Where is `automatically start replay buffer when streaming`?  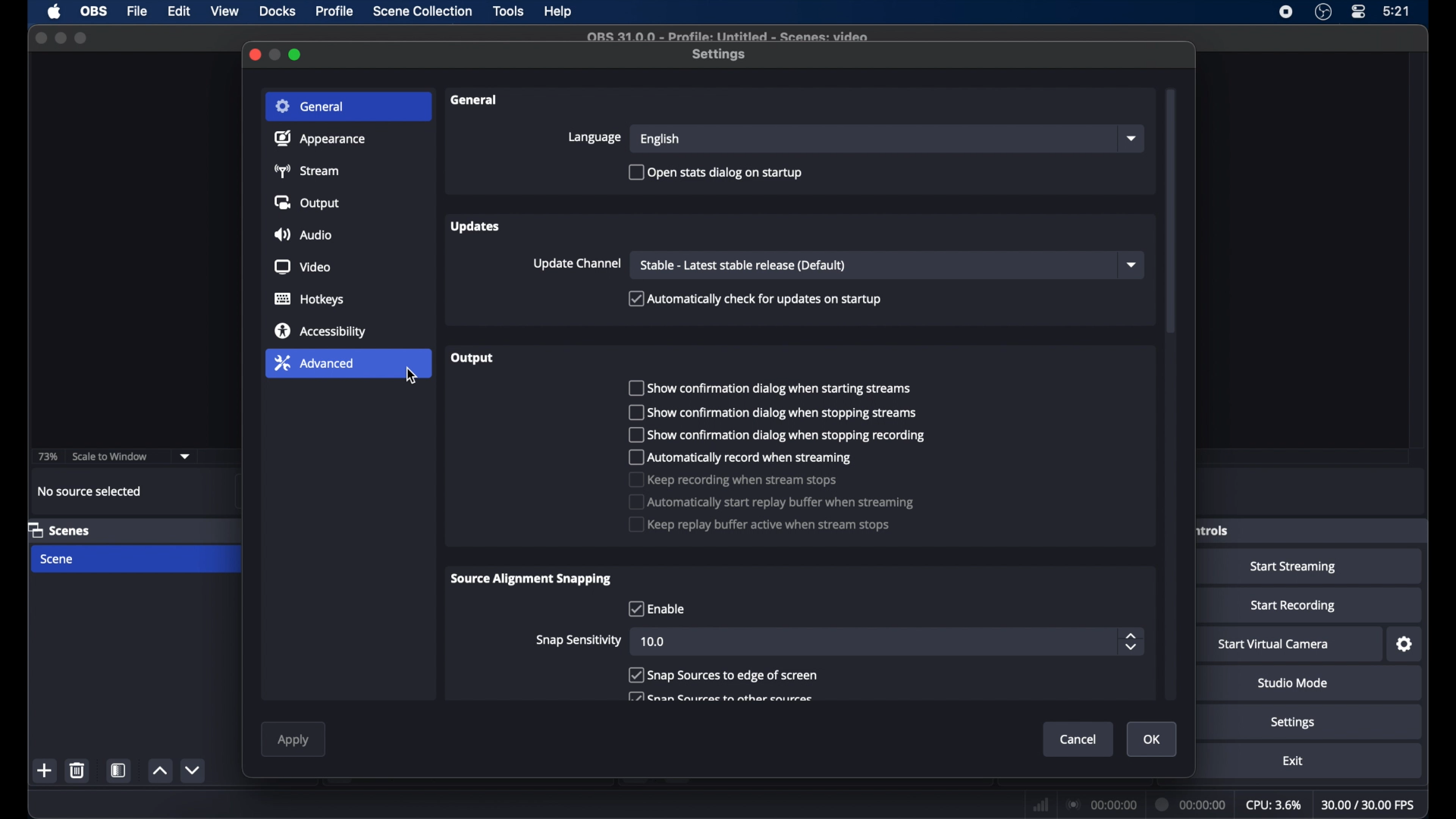
automatically start replay buffer when streaming is located at coordinates (772, 502).